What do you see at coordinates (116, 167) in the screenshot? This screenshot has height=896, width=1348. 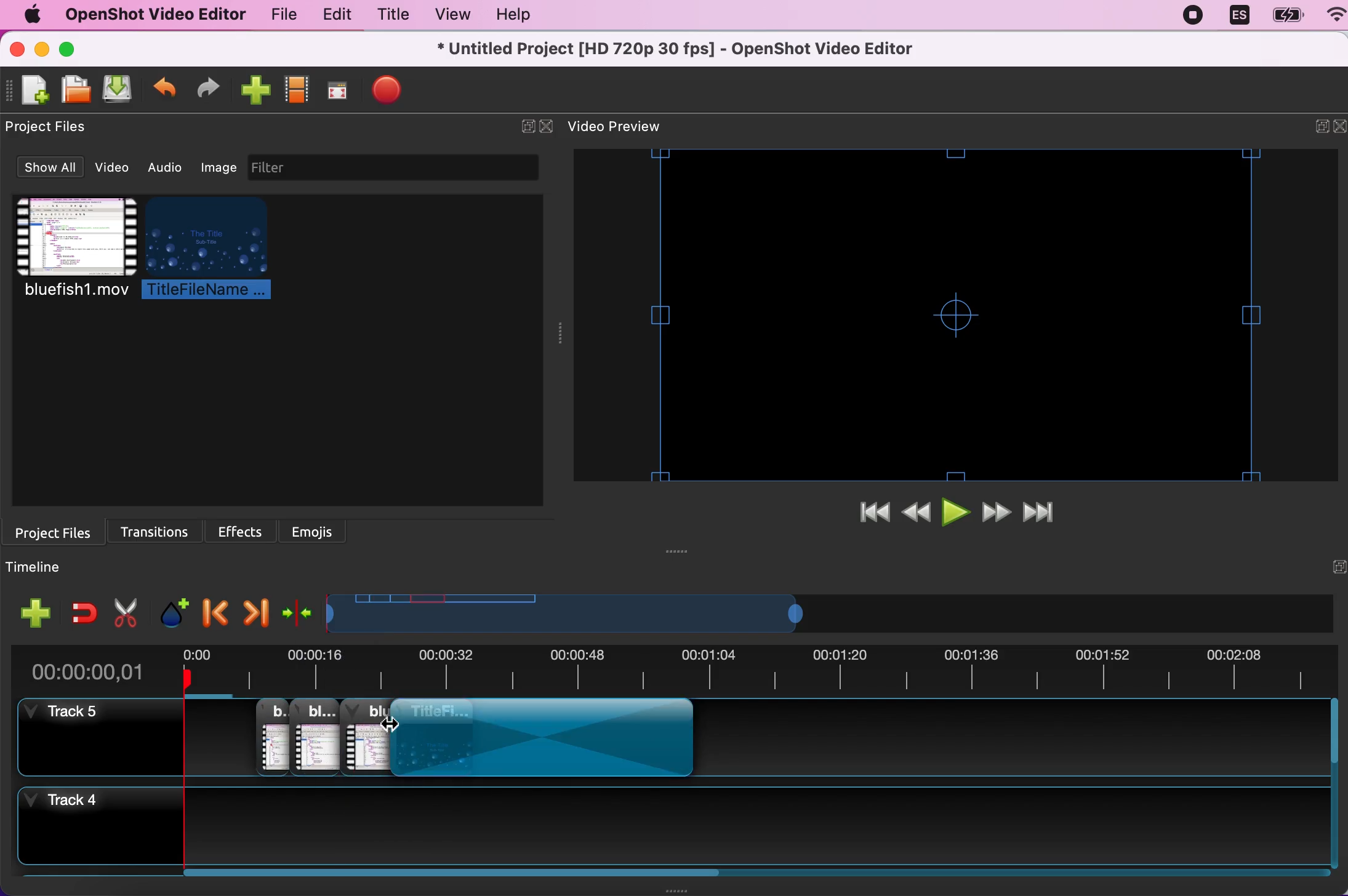 I see `video` at bounding box center [116, 167].